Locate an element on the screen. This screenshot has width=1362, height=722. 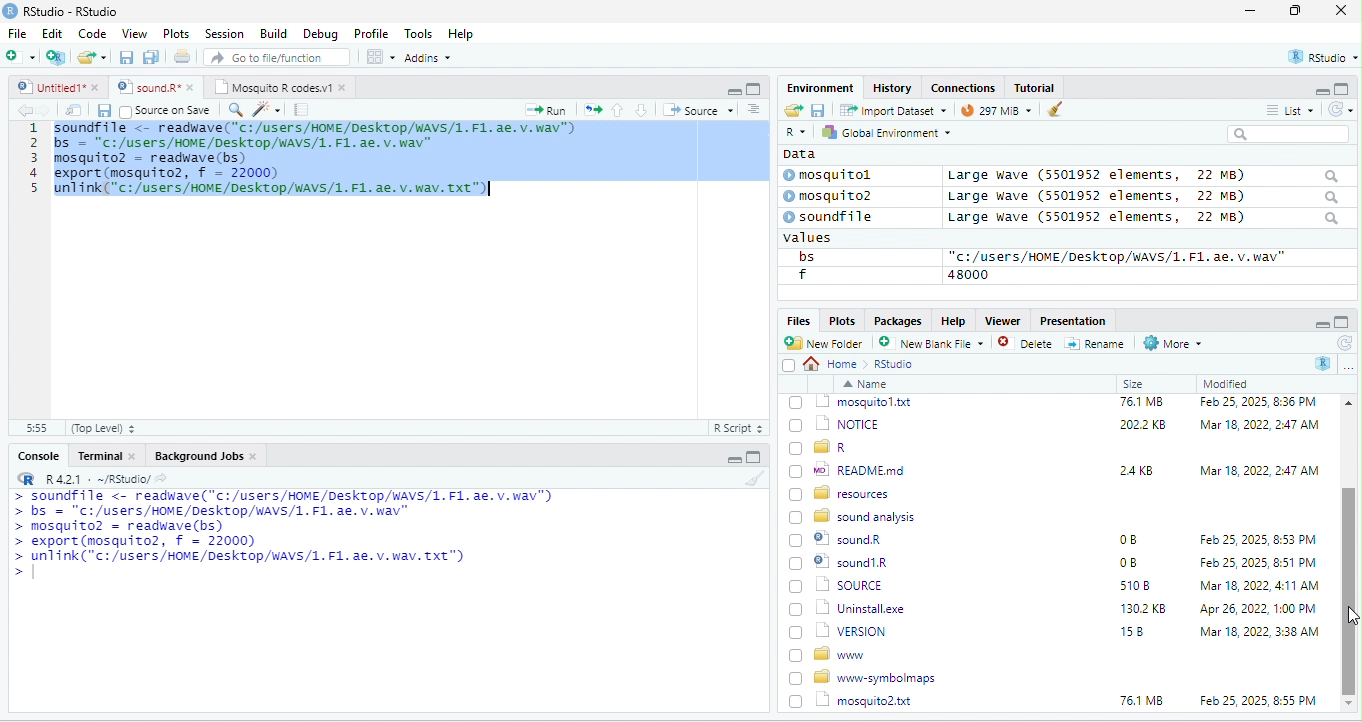
Packages is located at coordinates (901, 320).